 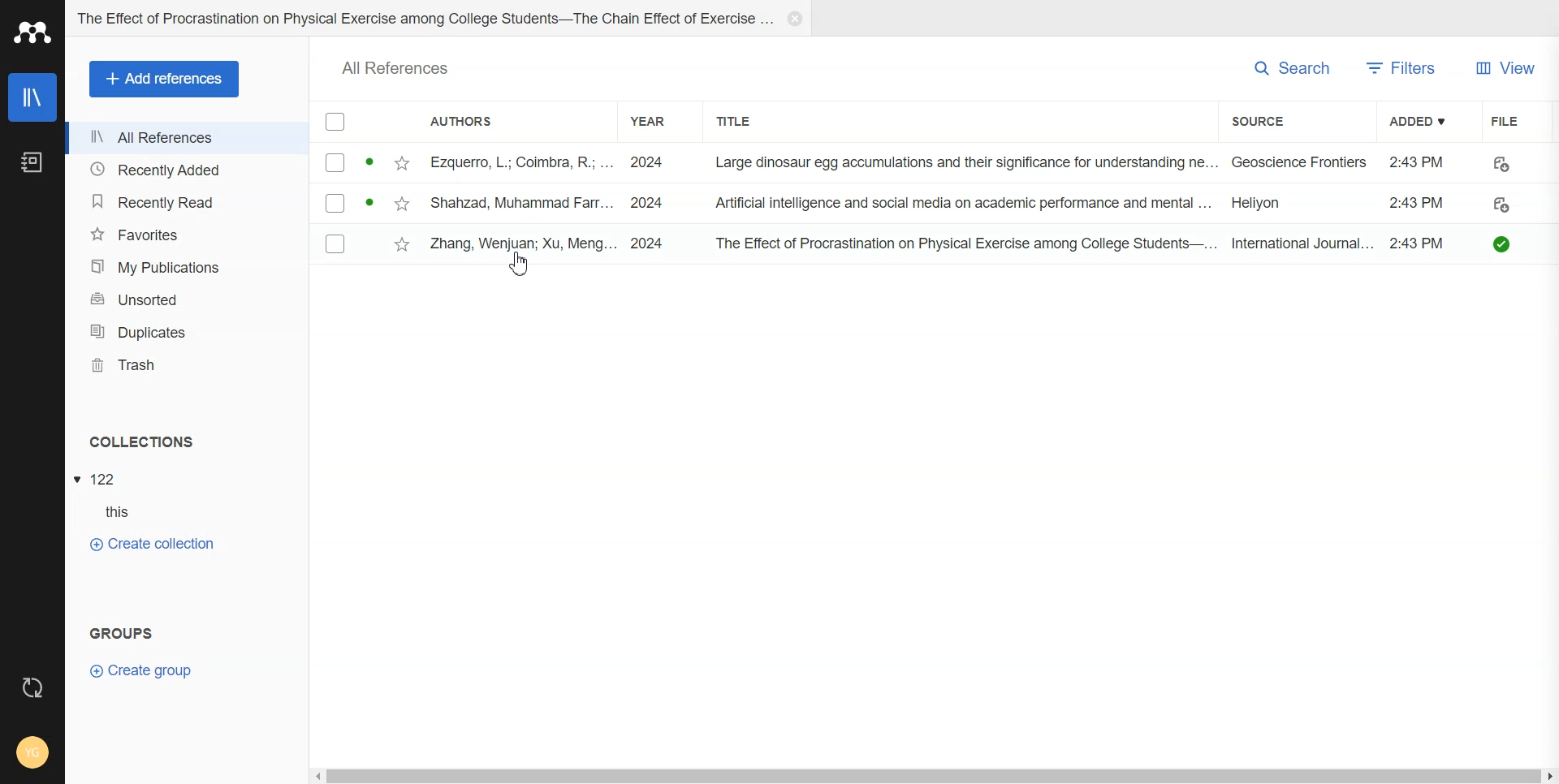 What do you see at coordinates (521, 242) in the screenshot?
I see `“Zhang, Wenjuan; Xu, Meng..` at bounding box center [521, 242].